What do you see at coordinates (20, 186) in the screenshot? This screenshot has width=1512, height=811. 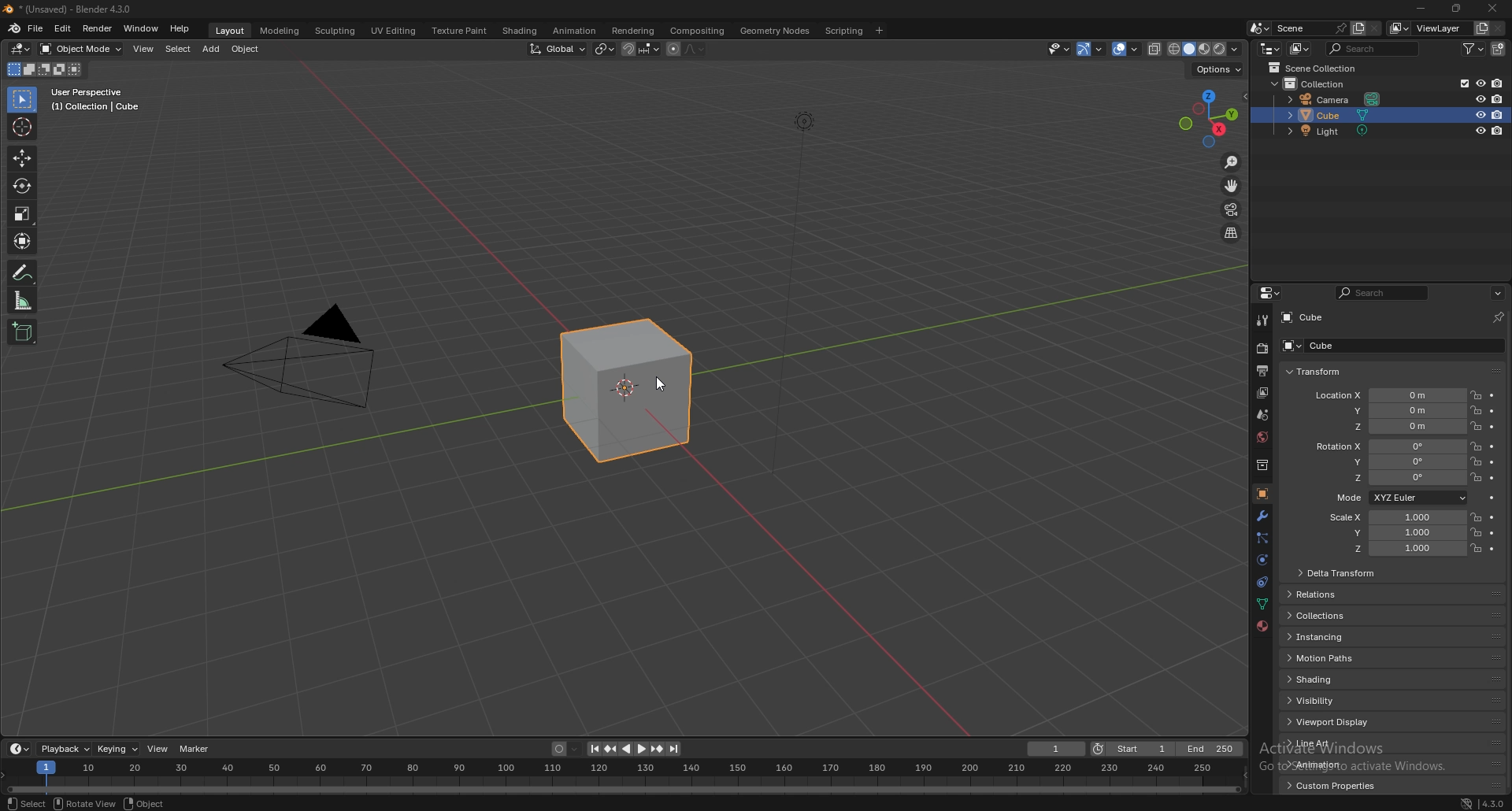 I see `rotate` at bounding box center [20, 186].